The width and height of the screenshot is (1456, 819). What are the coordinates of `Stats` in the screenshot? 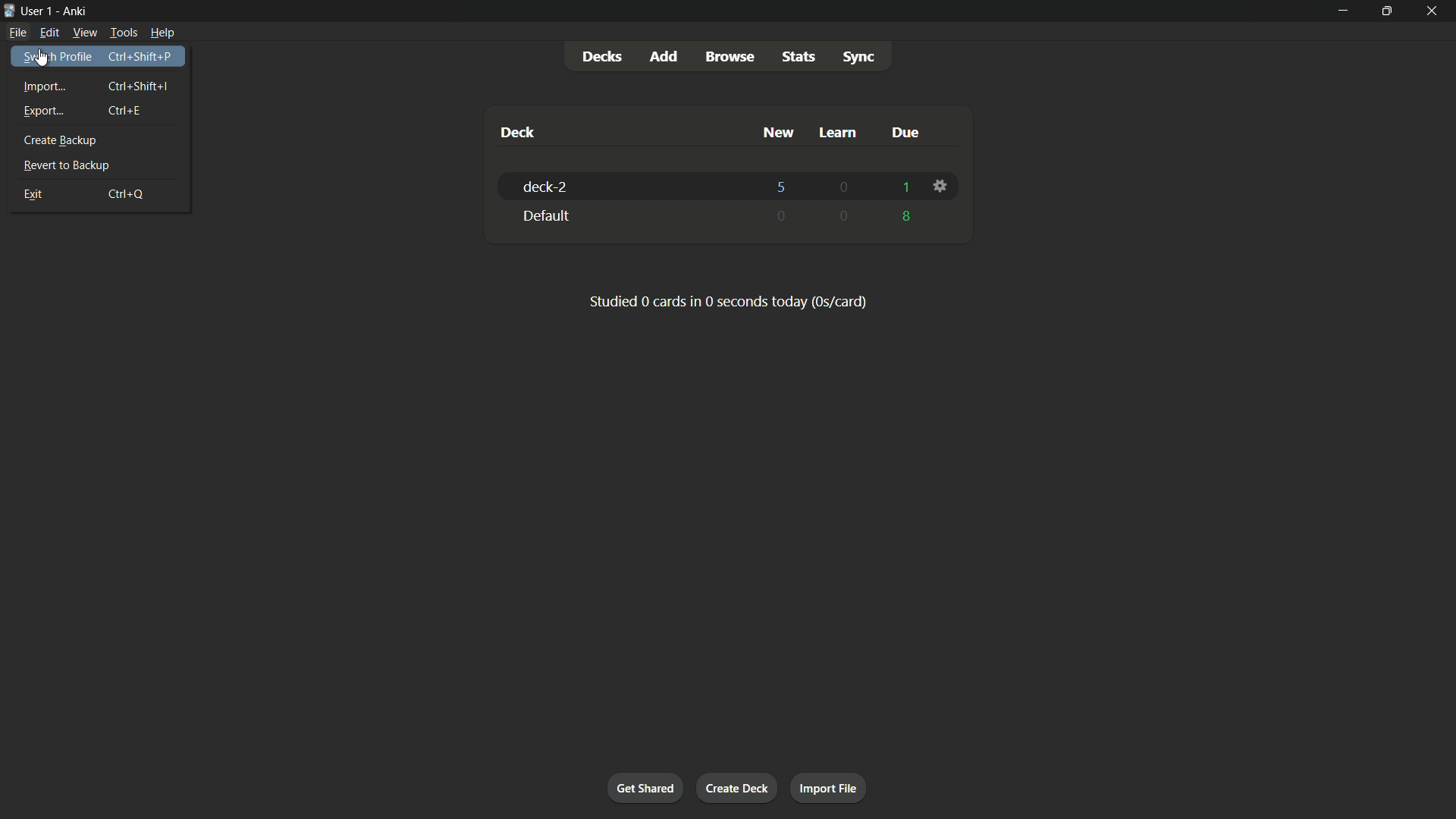 It's located at (798, 56).